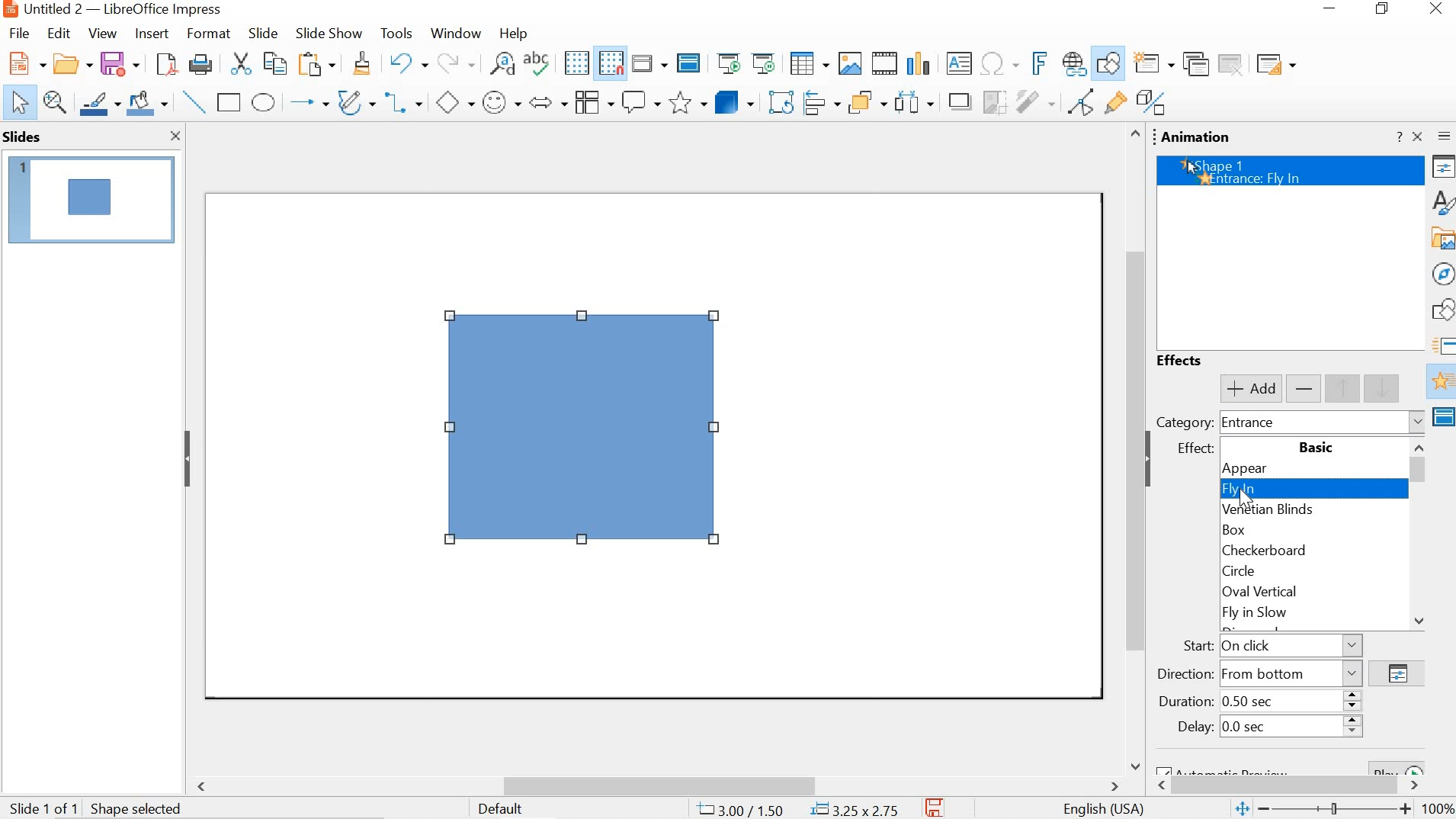  Describe the element at coordinates (171, 135) in the screenshot. I see `close pane` at that location.